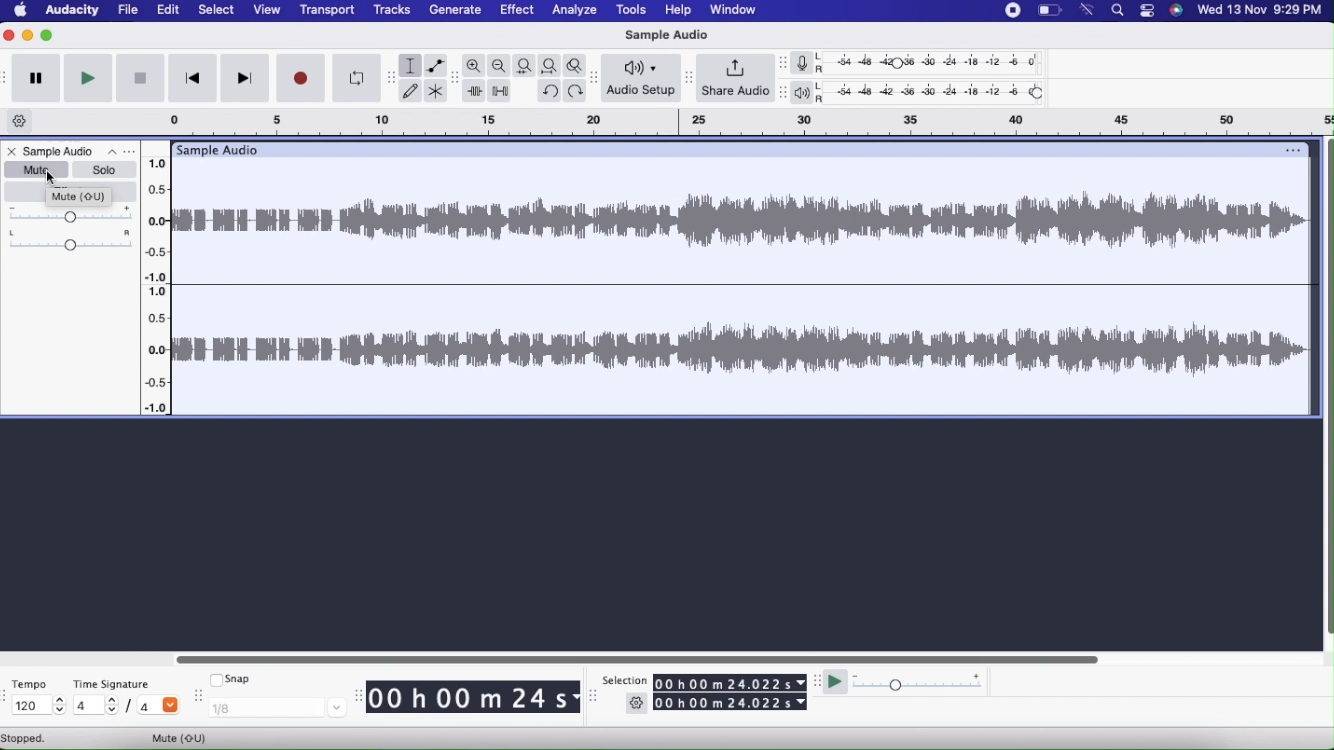 This screenshot has height=750, width=1334. What do you see at coordinates (595, 75) in the screenshot?
I see `Adjust` at bounding box center [595, 75].